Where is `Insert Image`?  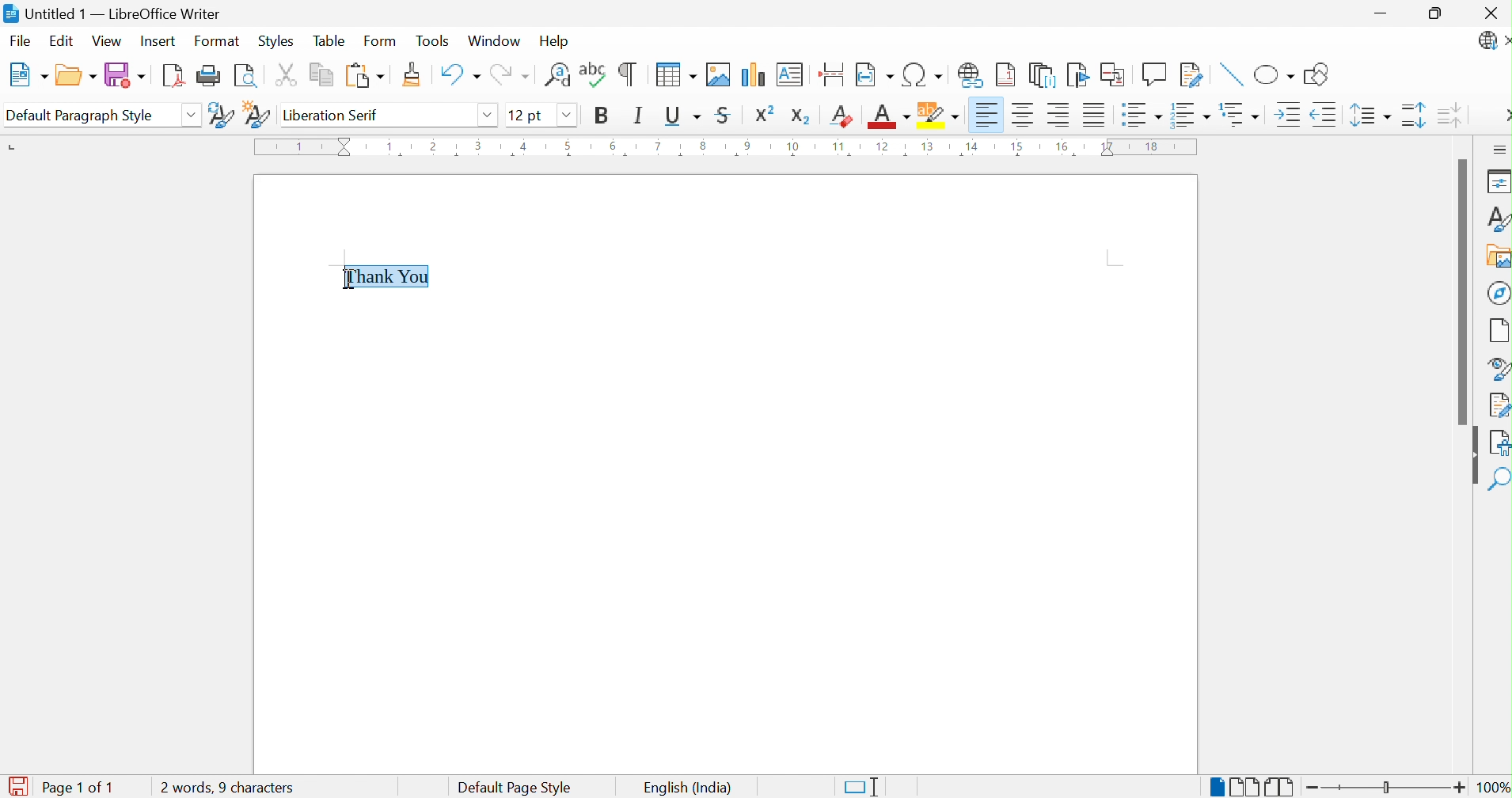
Insert Image is located at coordinates (716, 74).